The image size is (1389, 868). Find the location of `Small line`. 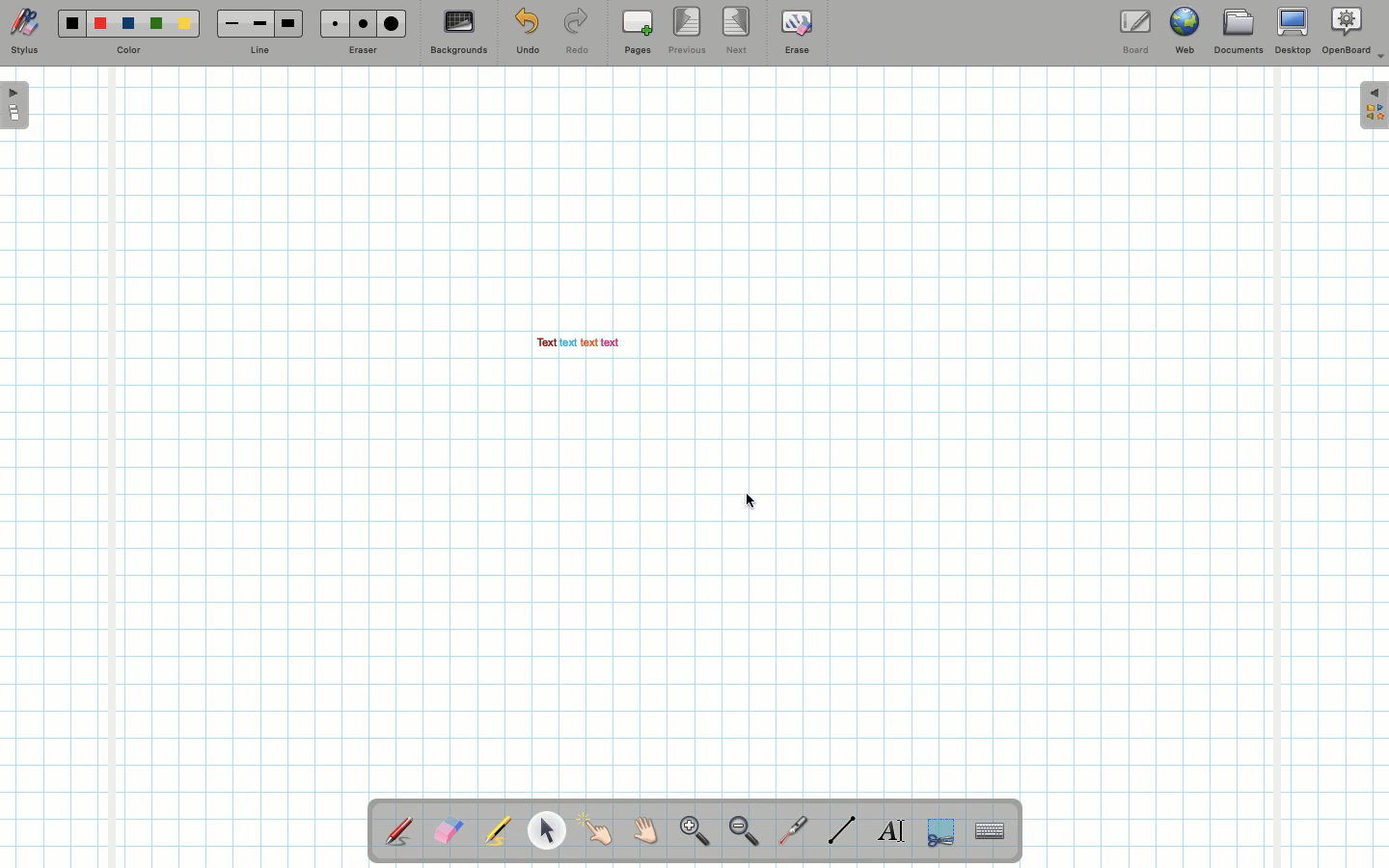

Small line is located at coordinates (229, 24).